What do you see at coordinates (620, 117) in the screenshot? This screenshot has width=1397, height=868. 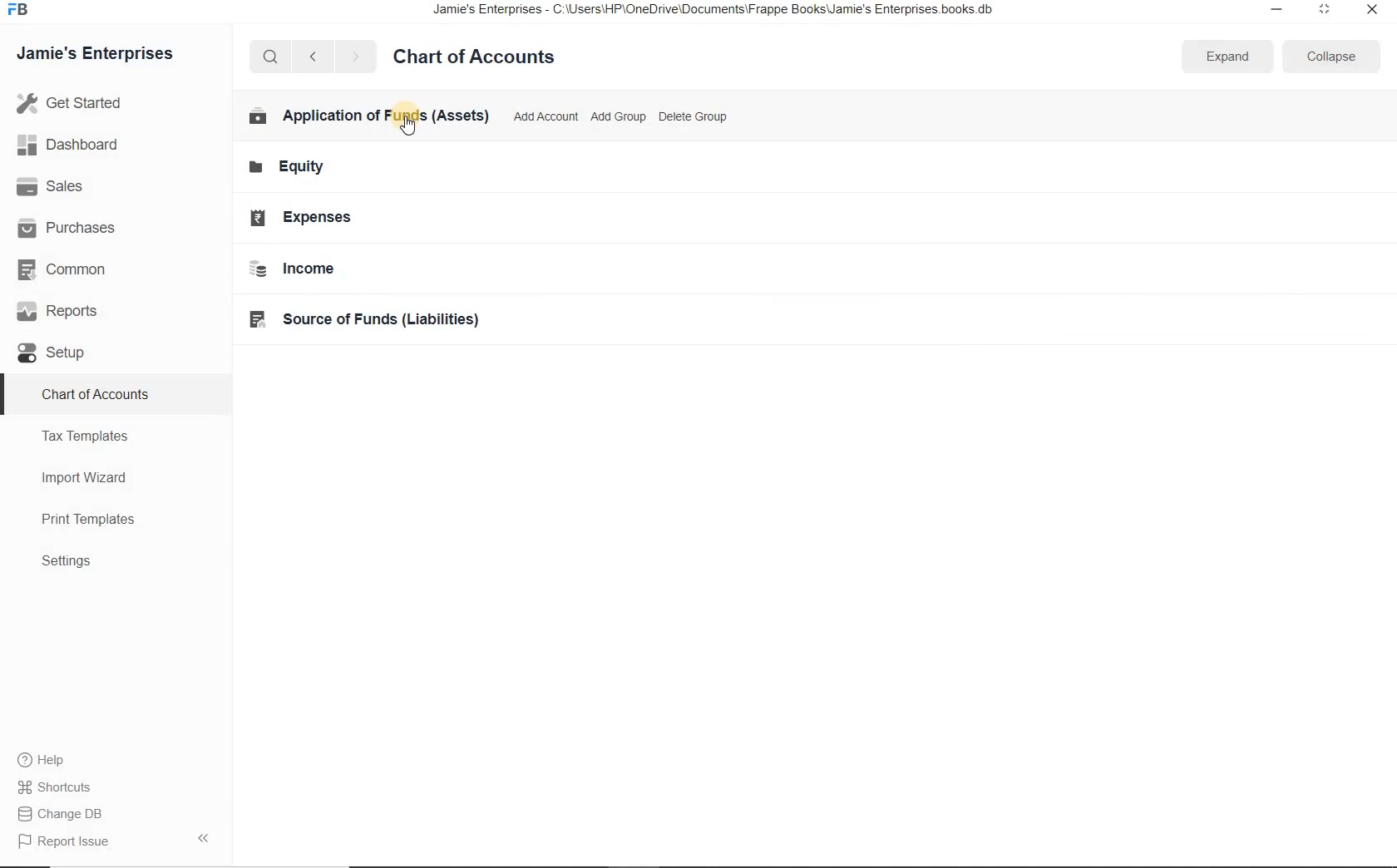 I see `Add Group` at bounding box center [620, 117].